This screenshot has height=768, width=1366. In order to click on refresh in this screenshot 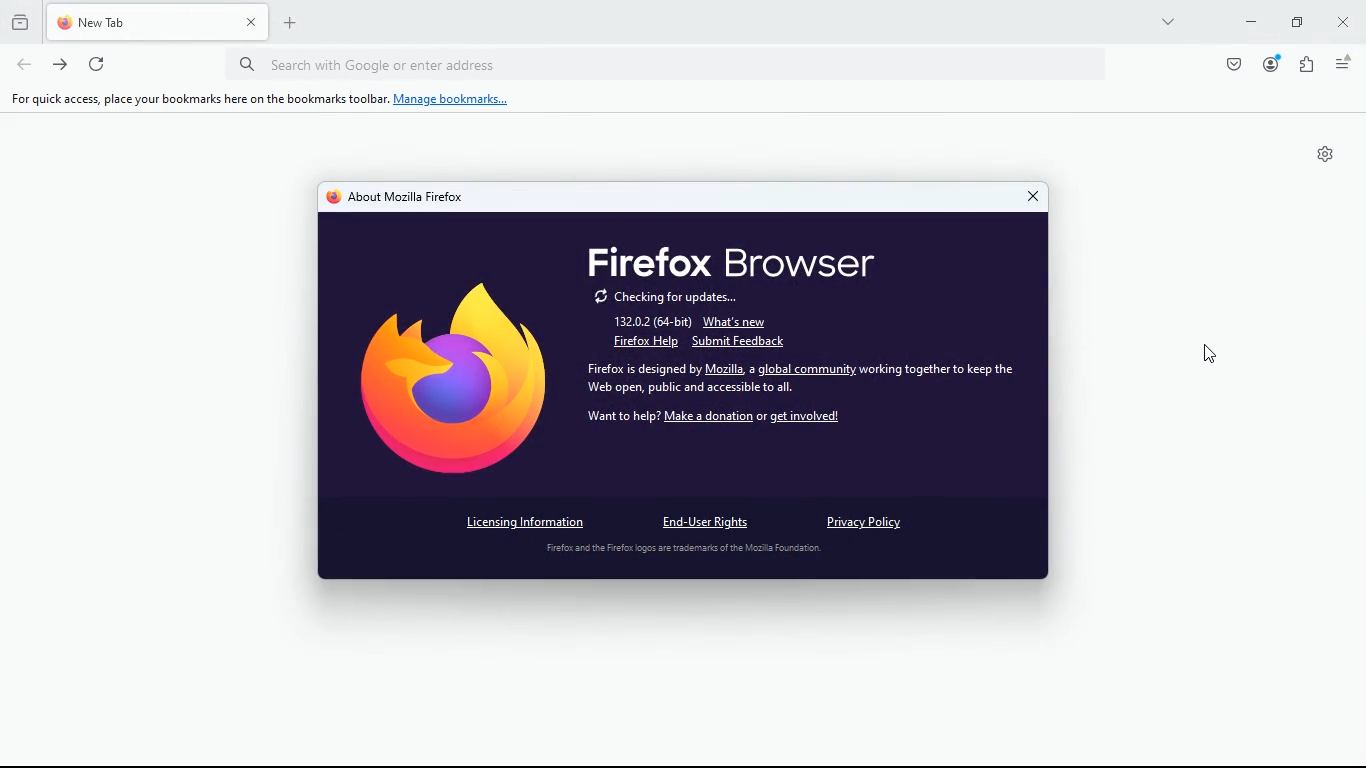, I will do `click(99, 65)`.